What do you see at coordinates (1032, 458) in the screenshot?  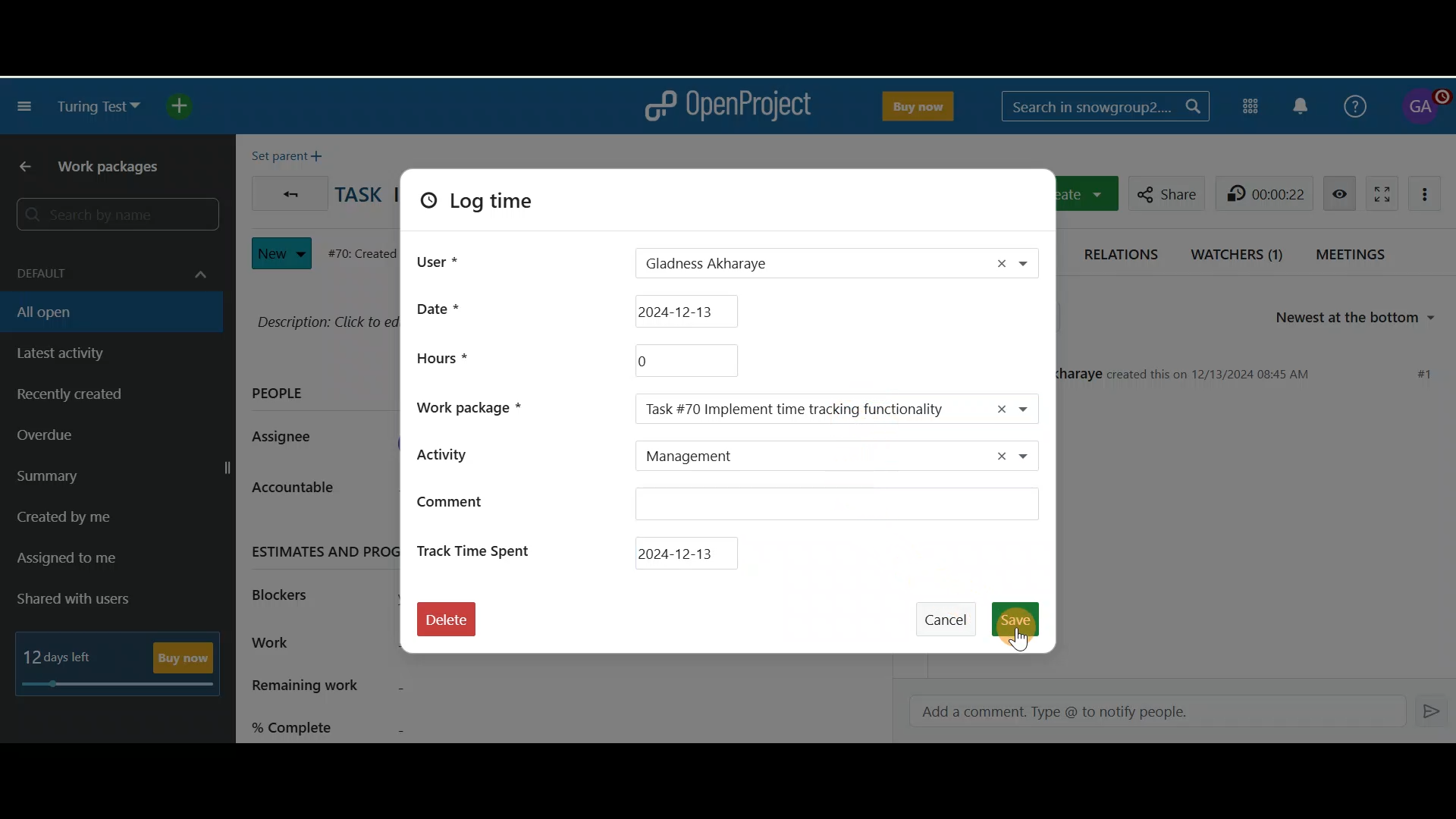 I see `Activity dropdown` at bounding box center [1032, 458].